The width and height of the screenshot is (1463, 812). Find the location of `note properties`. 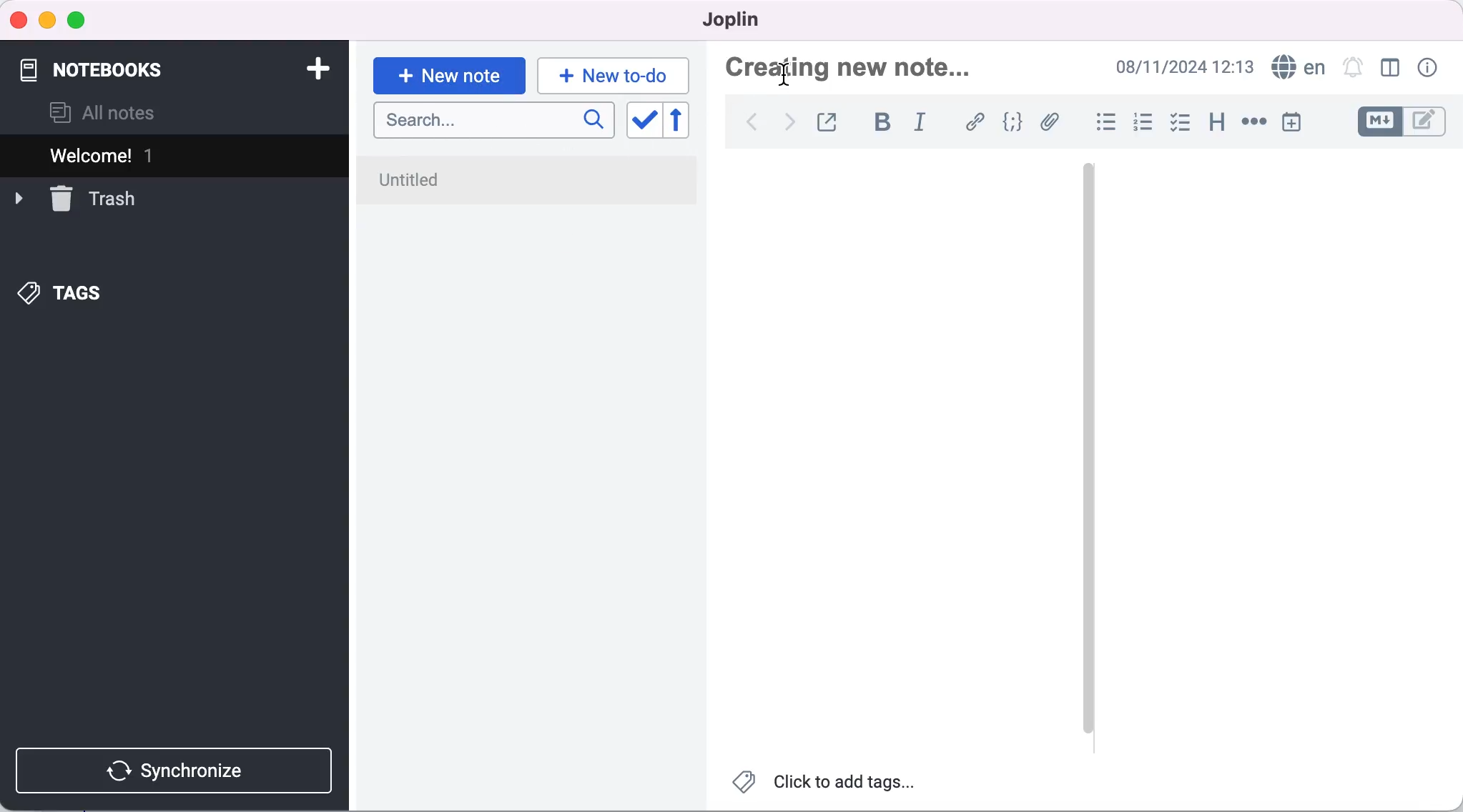

note properties is located at coordinates (1429, 68).